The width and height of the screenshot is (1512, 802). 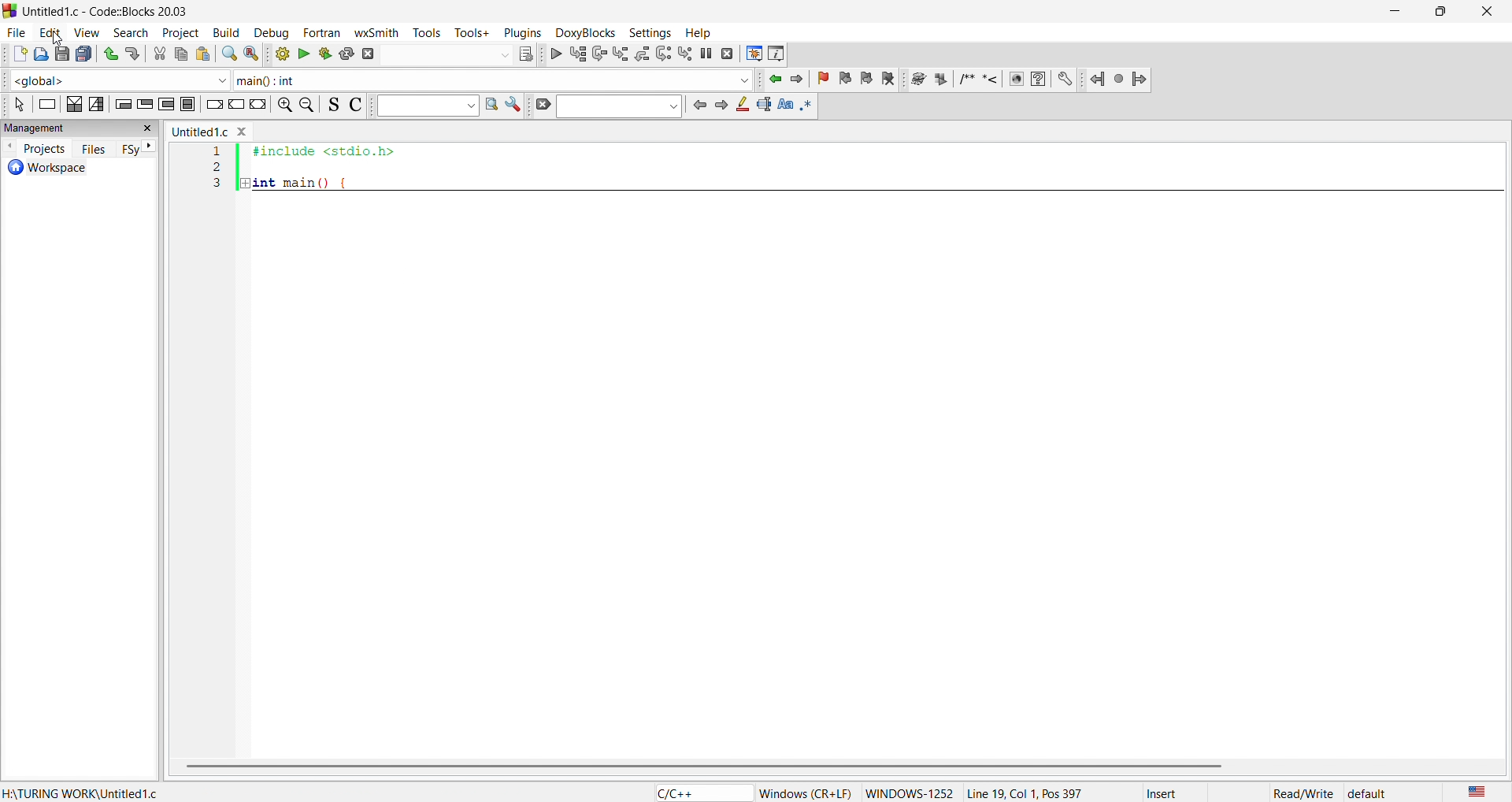 What do you see at coordinates (269, 31) in the screenshot?
I see `debug` at bounding box center [269, 31].